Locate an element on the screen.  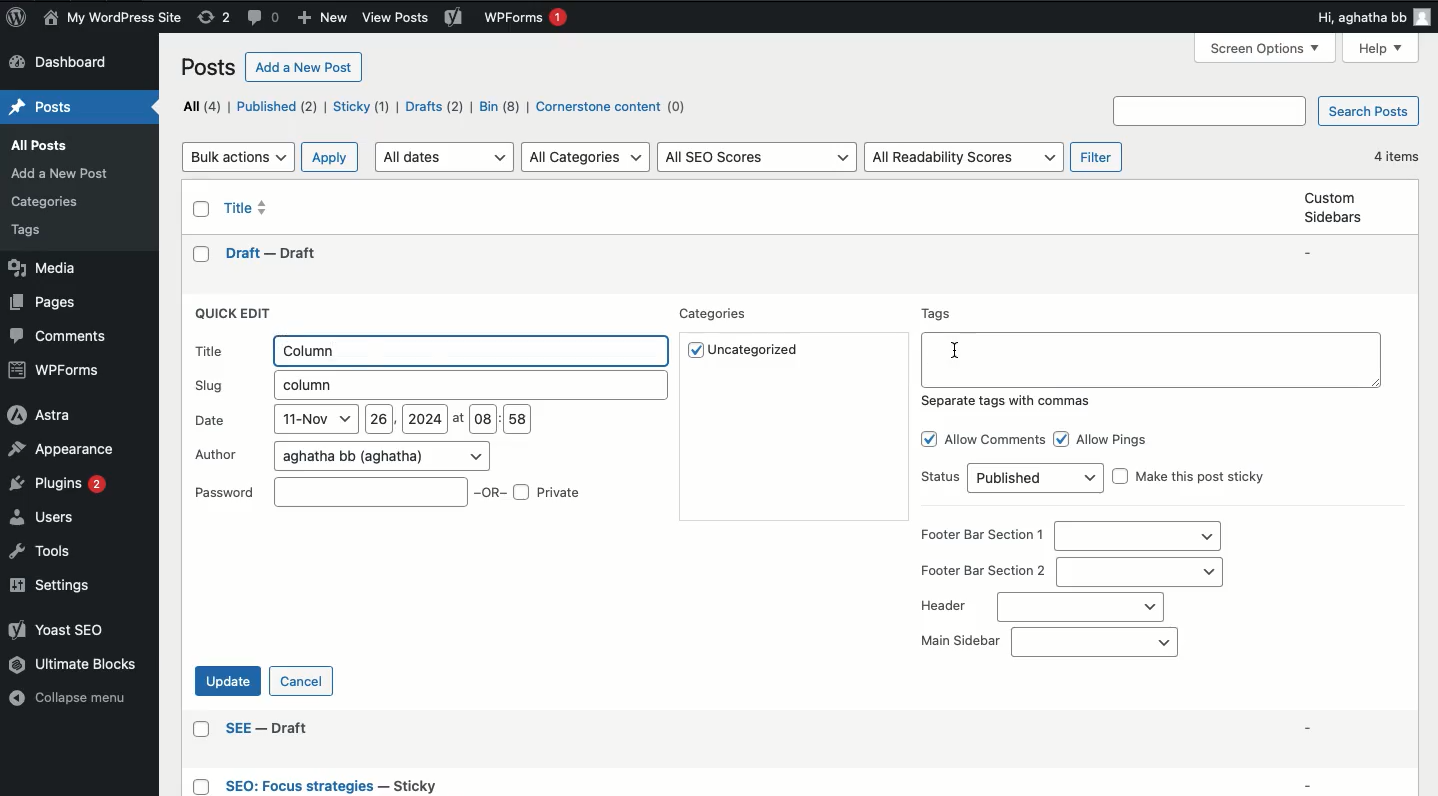
Allow comments is located at coordinates (985, 441).